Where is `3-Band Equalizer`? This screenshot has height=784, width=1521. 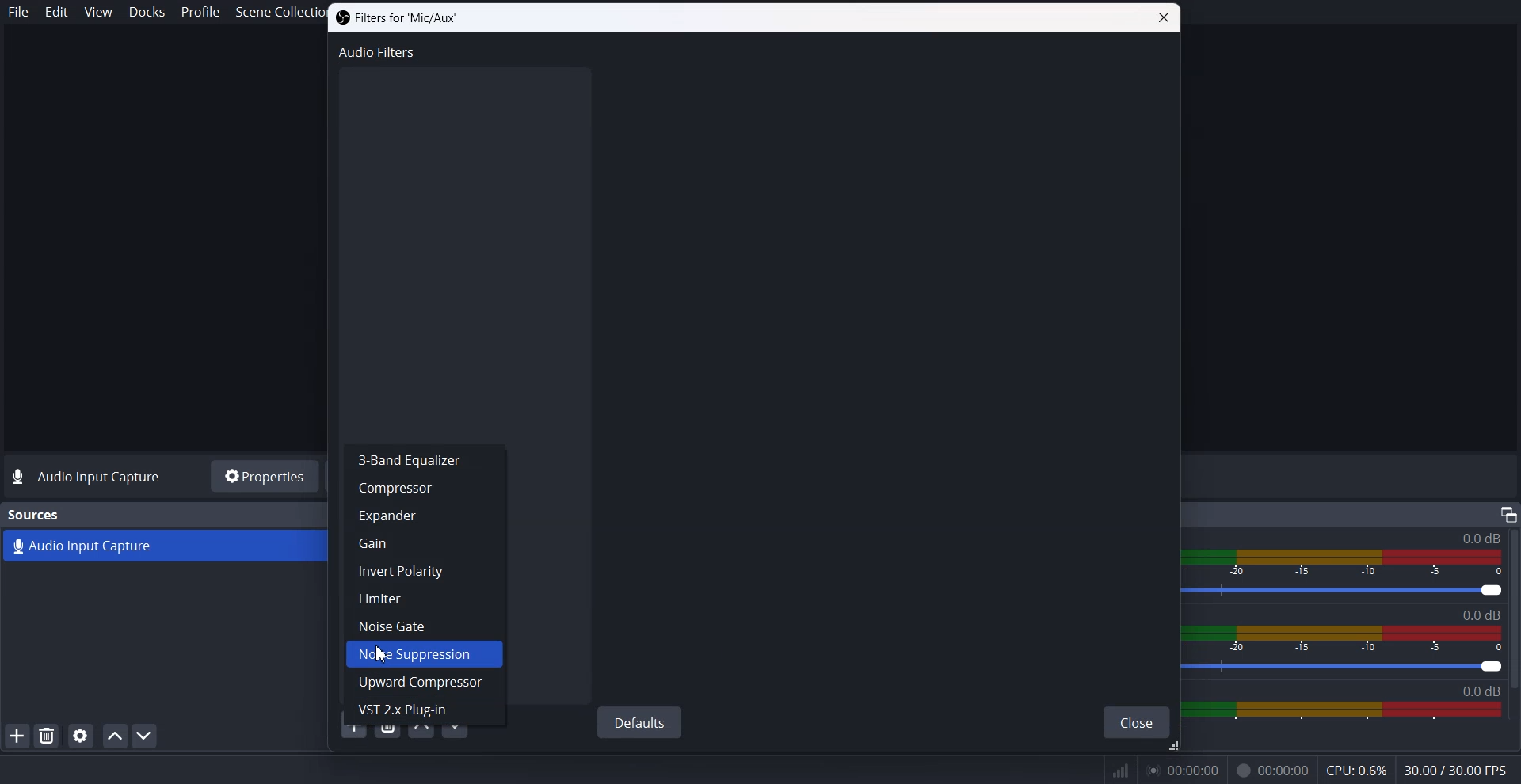
3-Band Equalizer is located at coordinates (423, 459).